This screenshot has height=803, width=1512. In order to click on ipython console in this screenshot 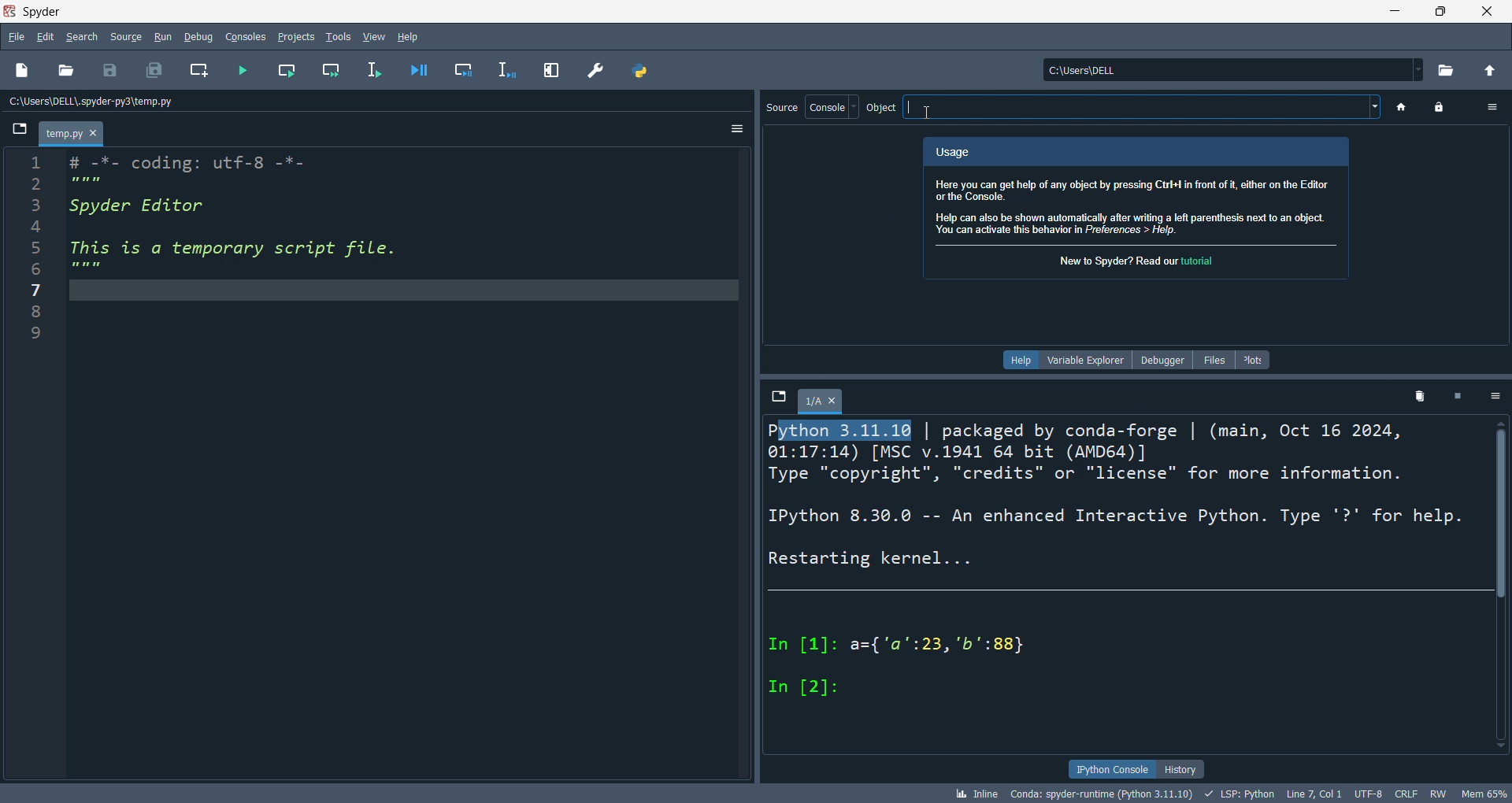, I will do `click(1105, 768)`.